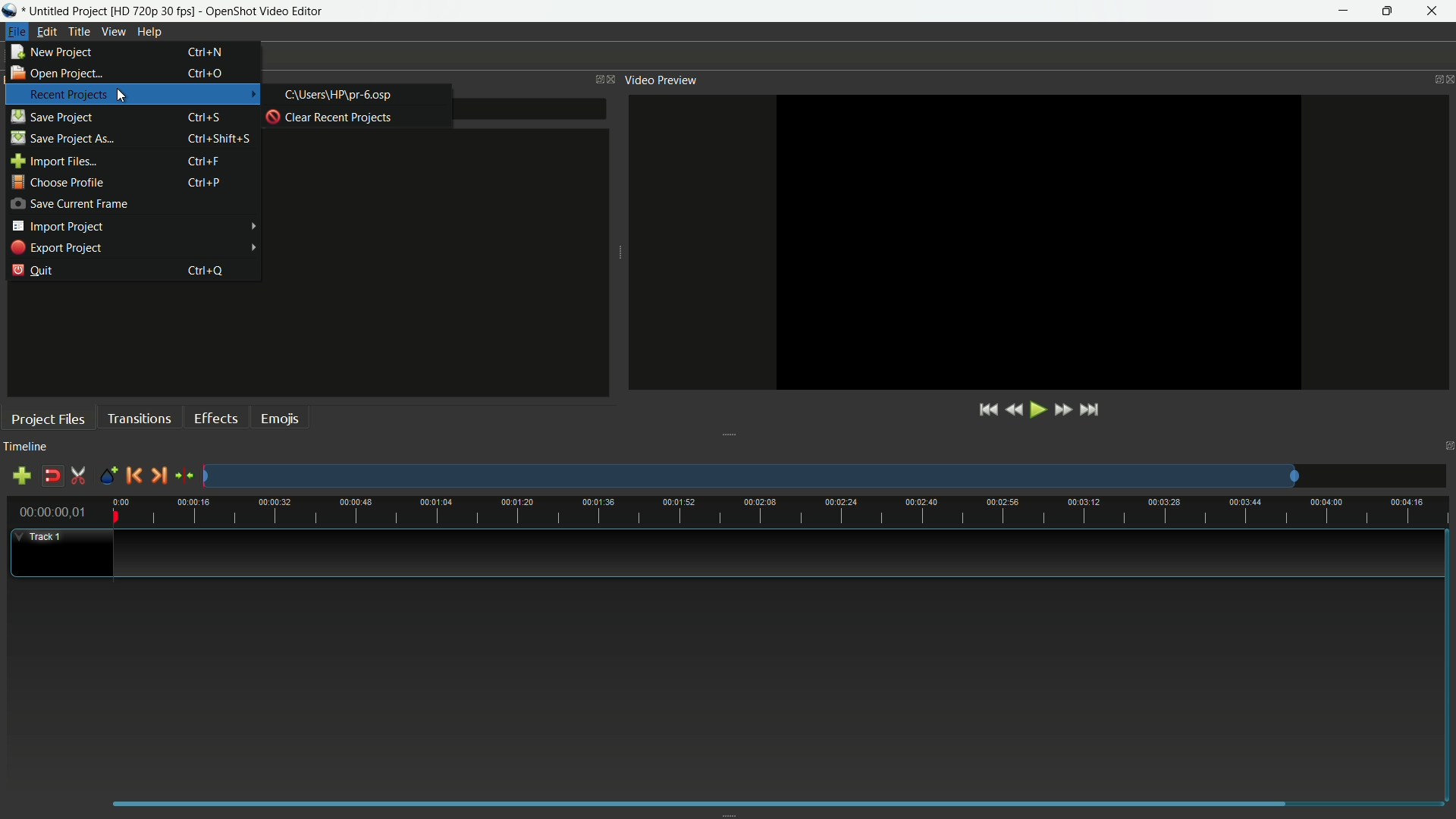 This screenshot has width=1456, height=819. Describe the element at coordinates (1447, 446) in the screenshot. I see `close timeline` at that location.